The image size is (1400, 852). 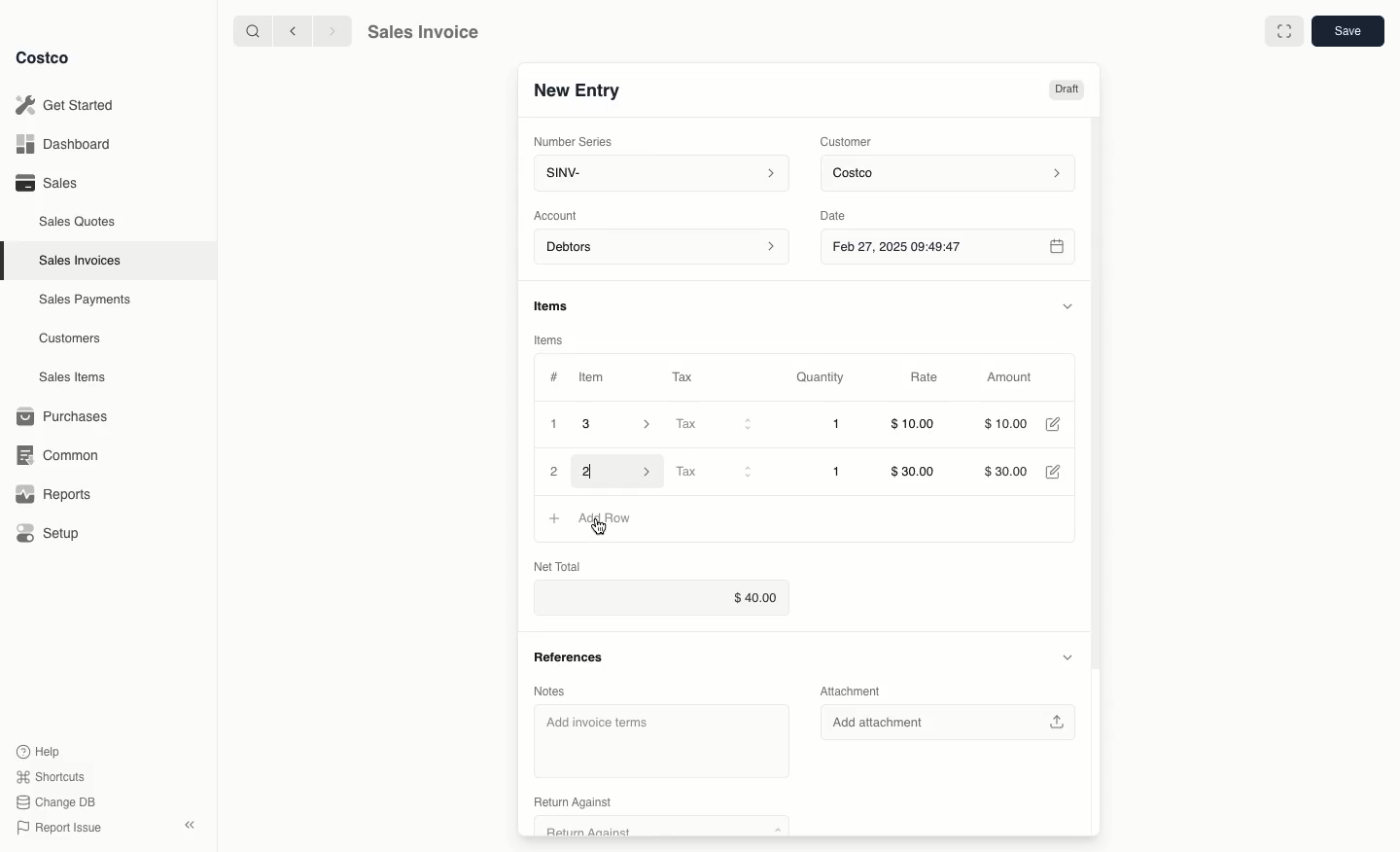 I want to click on Date, so click(x=849, y=213).